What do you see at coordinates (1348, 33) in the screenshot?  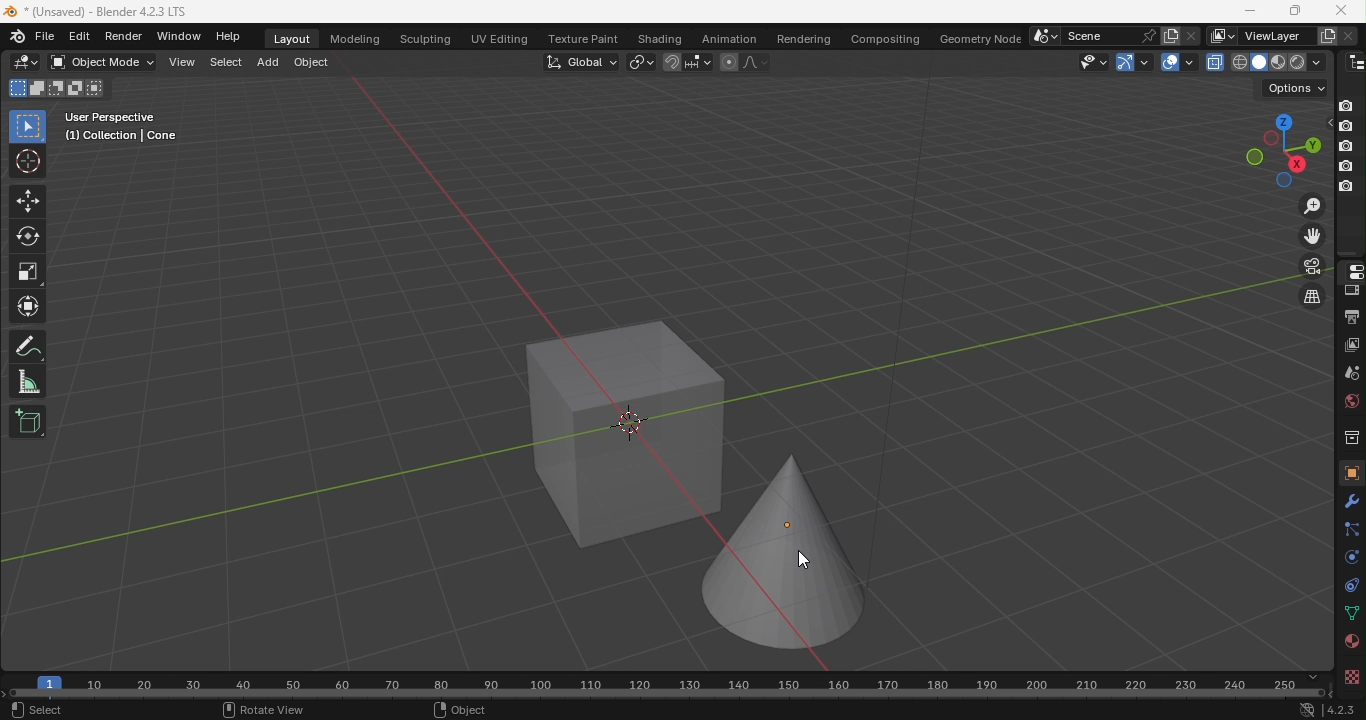 I see `Remove view layer` at bounding box center [1348, 33].